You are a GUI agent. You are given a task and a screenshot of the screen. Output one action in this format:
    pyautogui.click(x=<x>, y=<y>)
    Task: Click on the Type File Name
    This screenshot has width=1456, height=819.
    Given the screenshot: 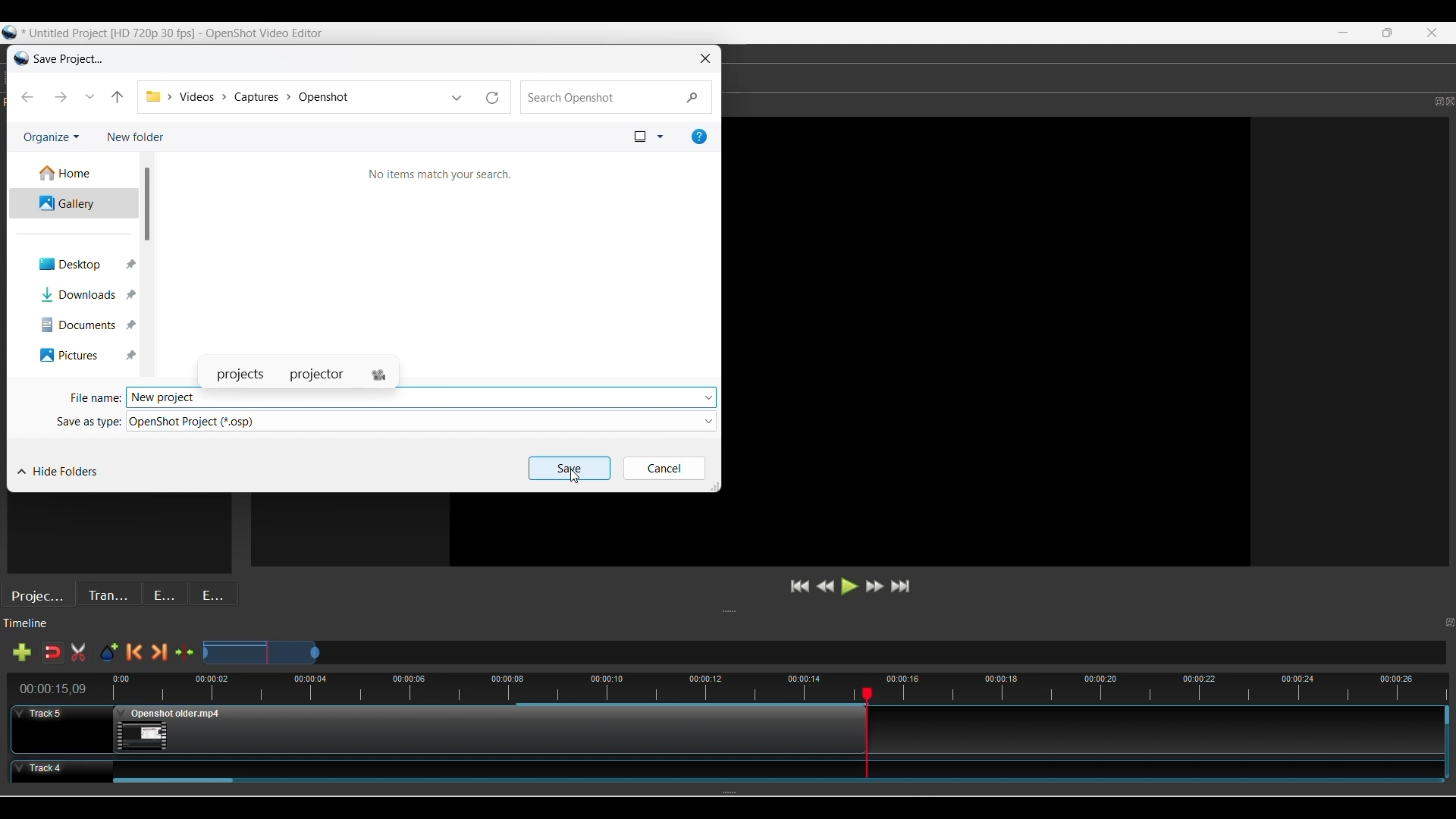 What is the action you would take?
    pyautogui.click(x=406, y=397)
    